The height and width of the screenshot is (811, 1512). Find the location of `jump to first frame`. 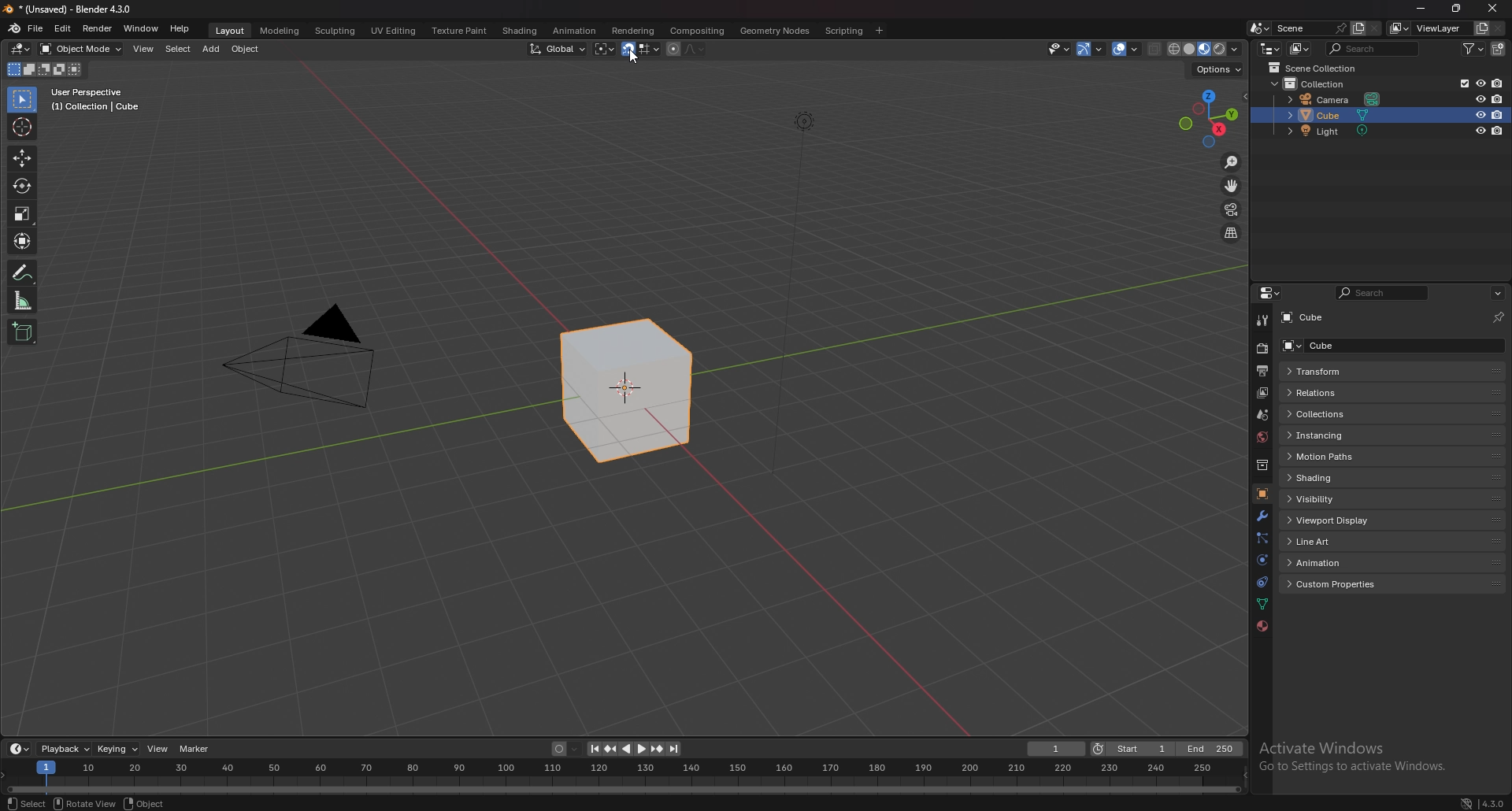

jump to first frame is located at coordinates (595, 749).